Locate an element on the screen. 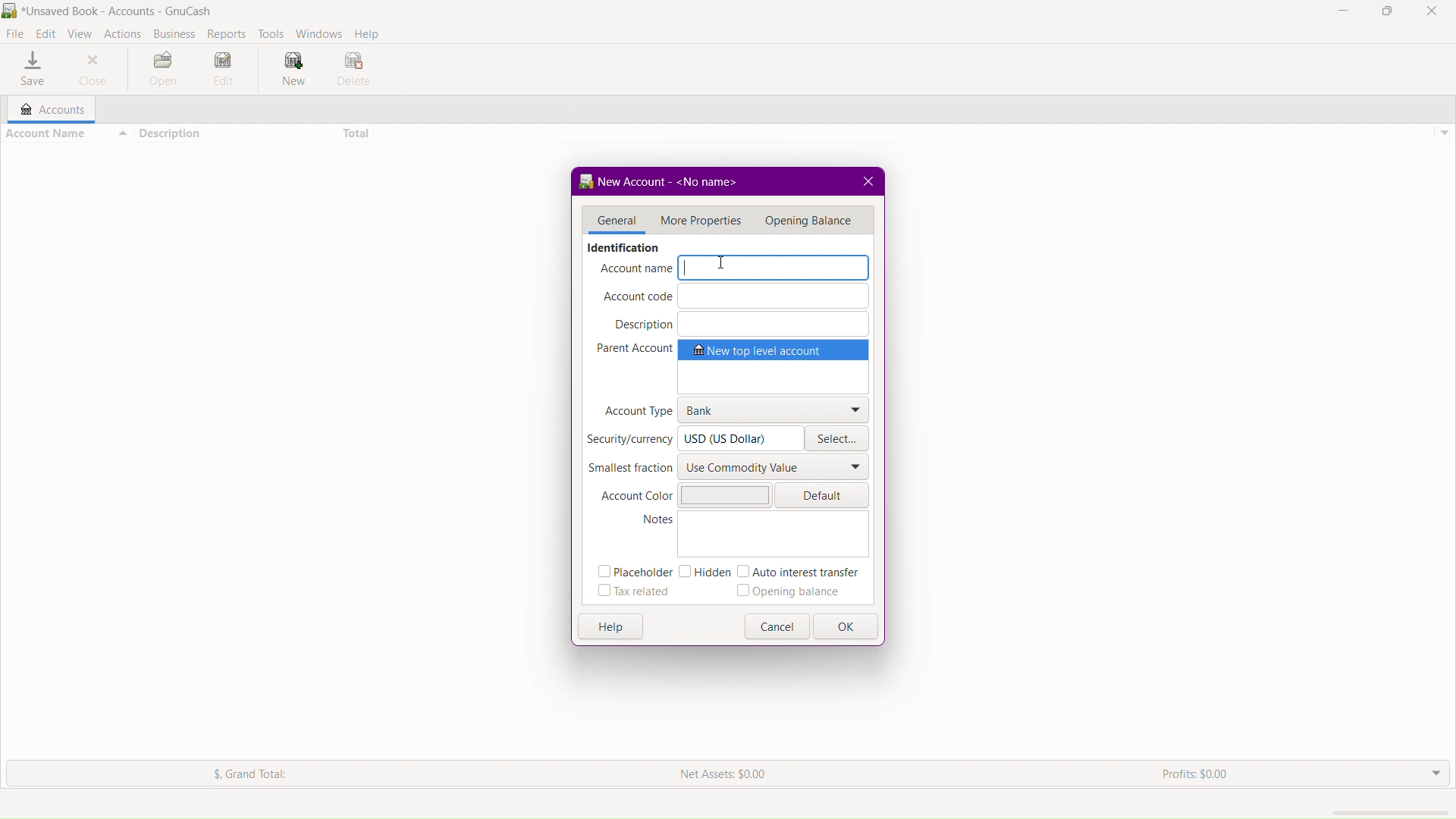 This screenshot has height=819, width=1456. Parent Account is located at coordinates (733, 366).